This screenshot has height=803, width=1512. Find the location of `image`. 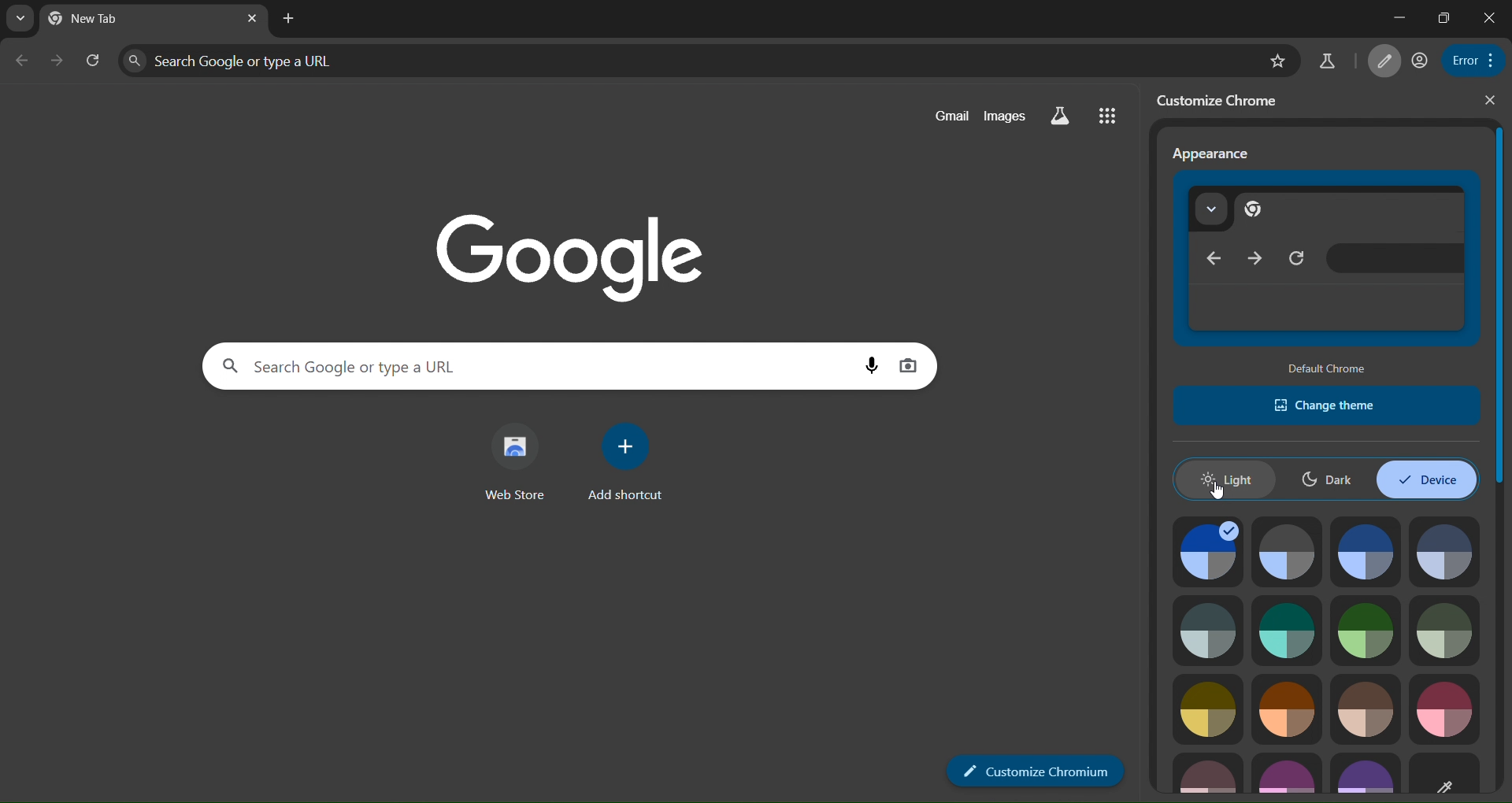

image is located at coordinates (1286, 629).